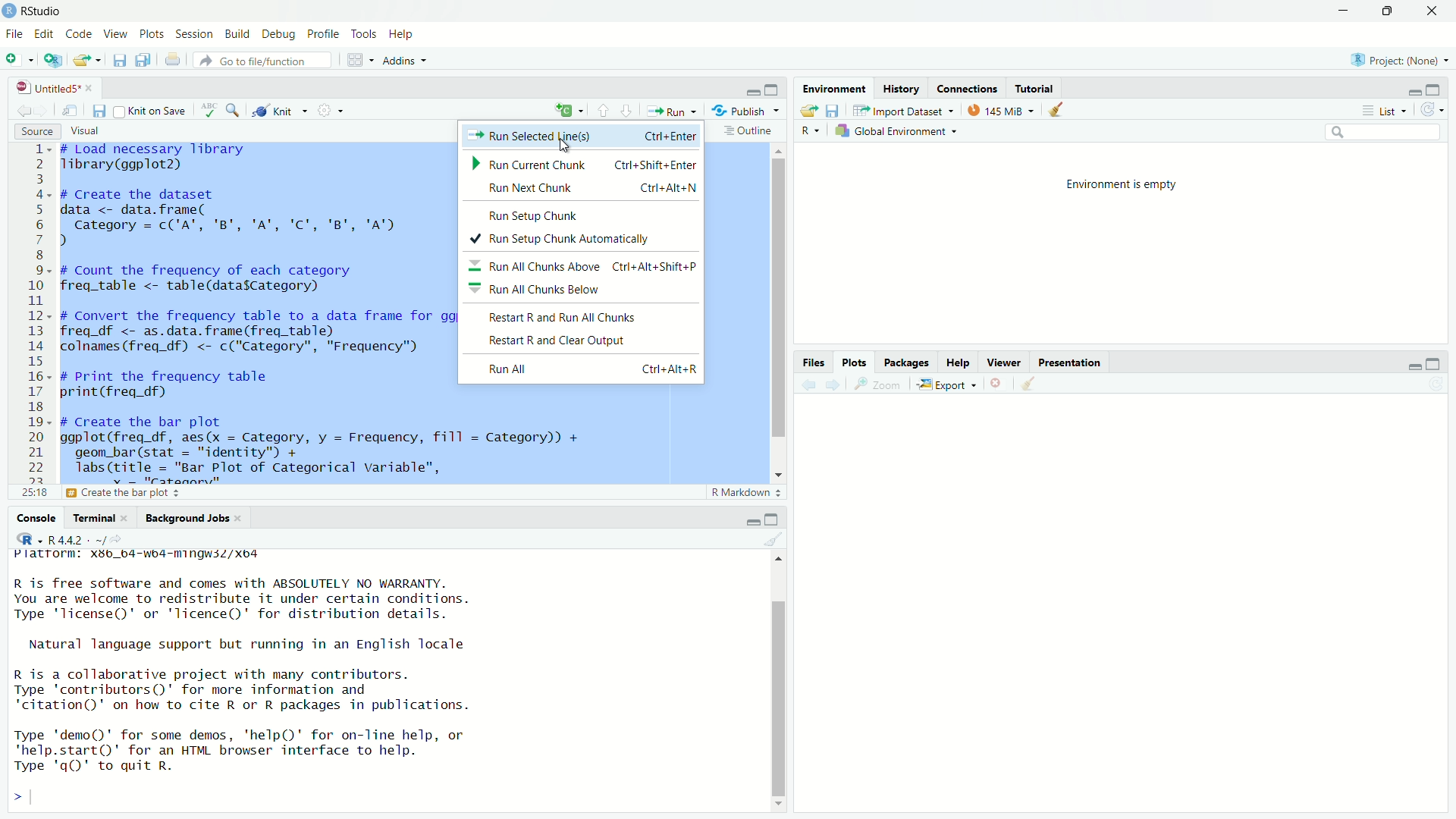 The width and height of the screenshot is (1456, 819). Describe the element at coordinates (44, 35) in the screenshot. I see `edit` at that location.